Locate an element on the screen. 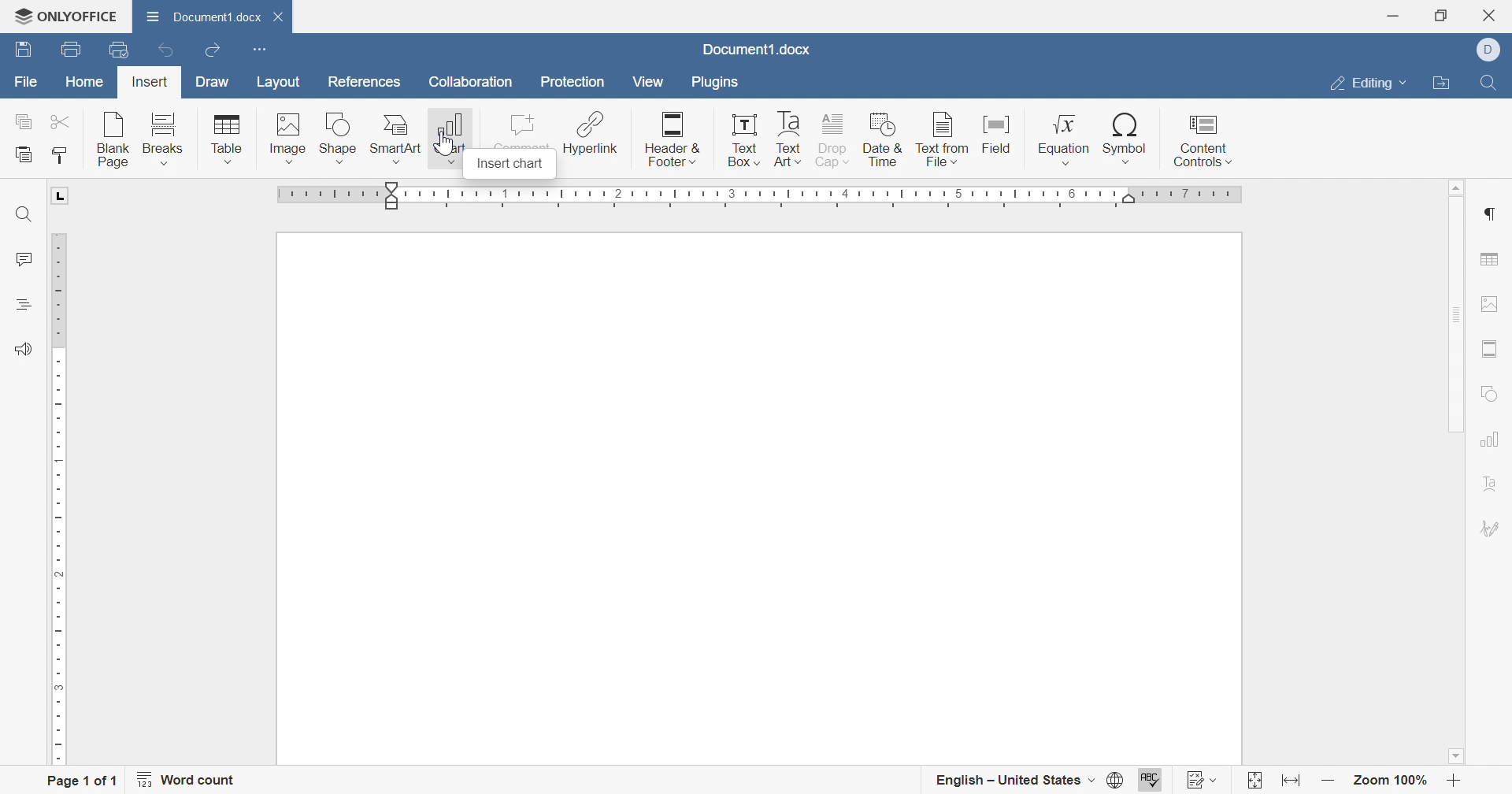  cursor is located at coordinates (450, 154).